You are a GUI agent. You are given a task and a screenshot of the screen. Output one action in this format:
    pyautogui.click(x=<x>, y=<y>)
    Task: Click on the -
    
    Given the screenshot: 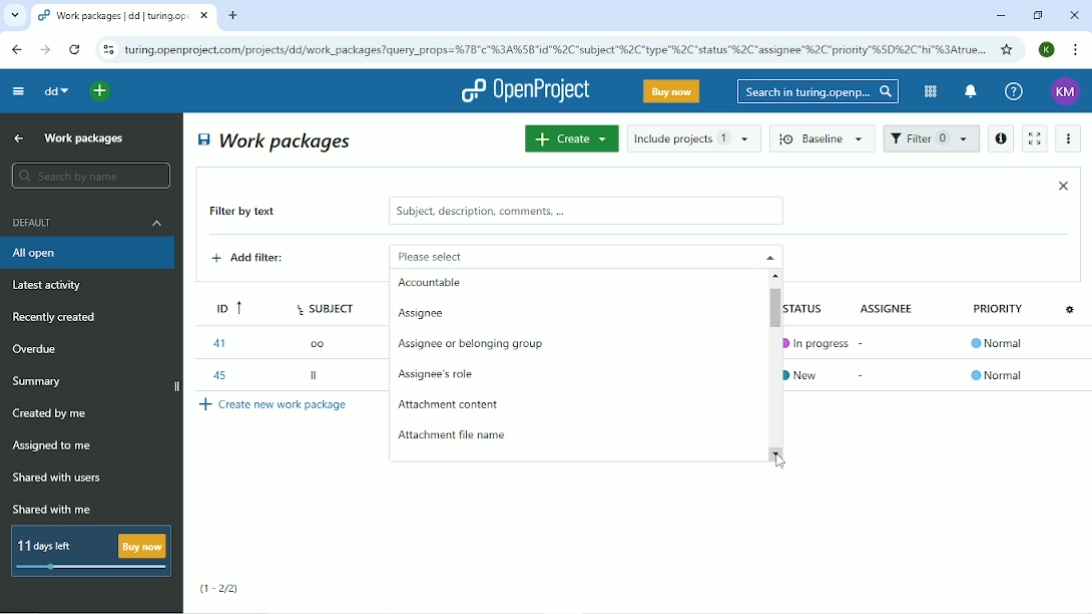 What is the action you would take?
    pyautogui.click(x=863, y=375)
    